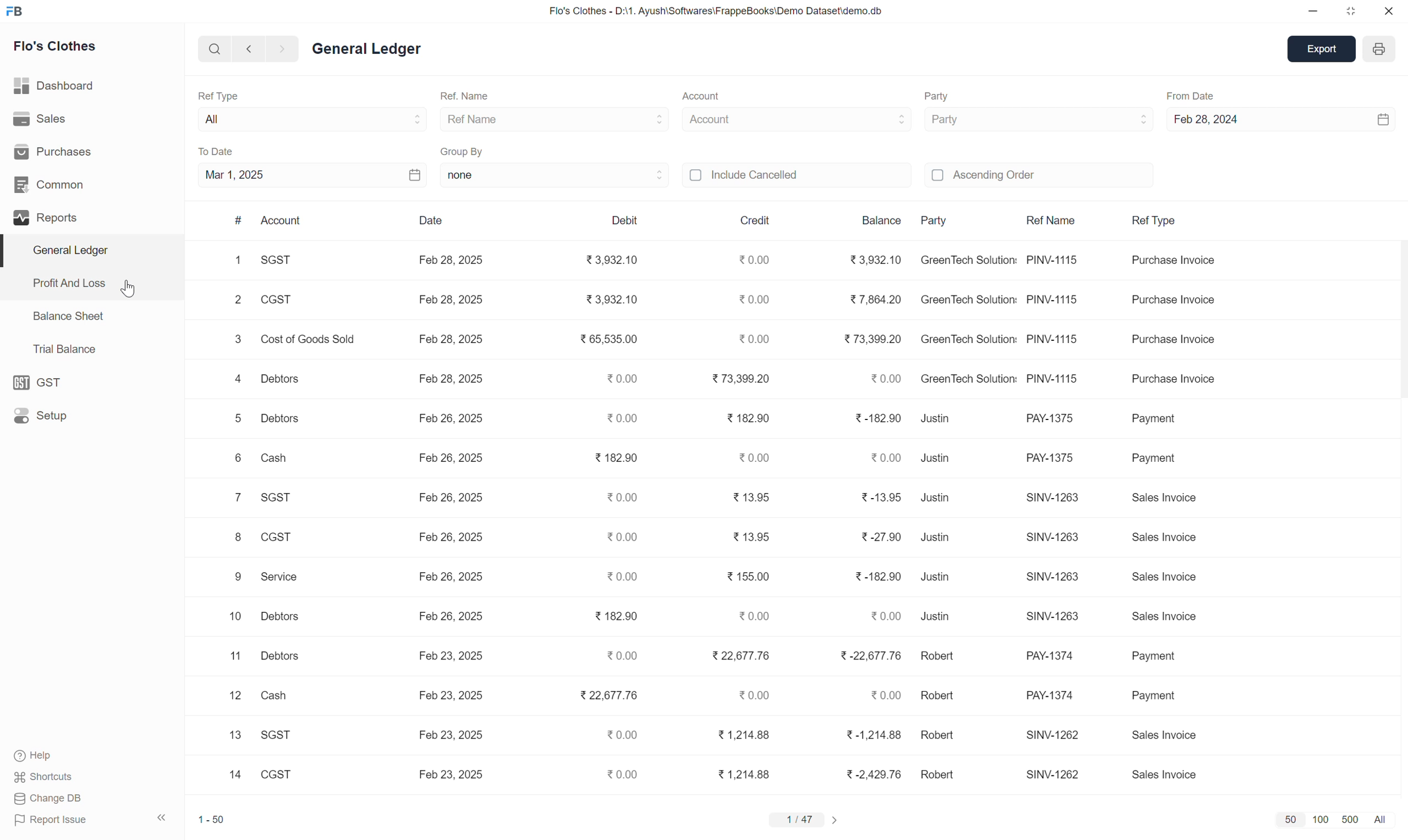 This screenshot has height=840, width=1408. What do you see at coordinates (451, 774) in the screenshot?
I see `Feb 23, 2025` at bounding box center [451, 774].